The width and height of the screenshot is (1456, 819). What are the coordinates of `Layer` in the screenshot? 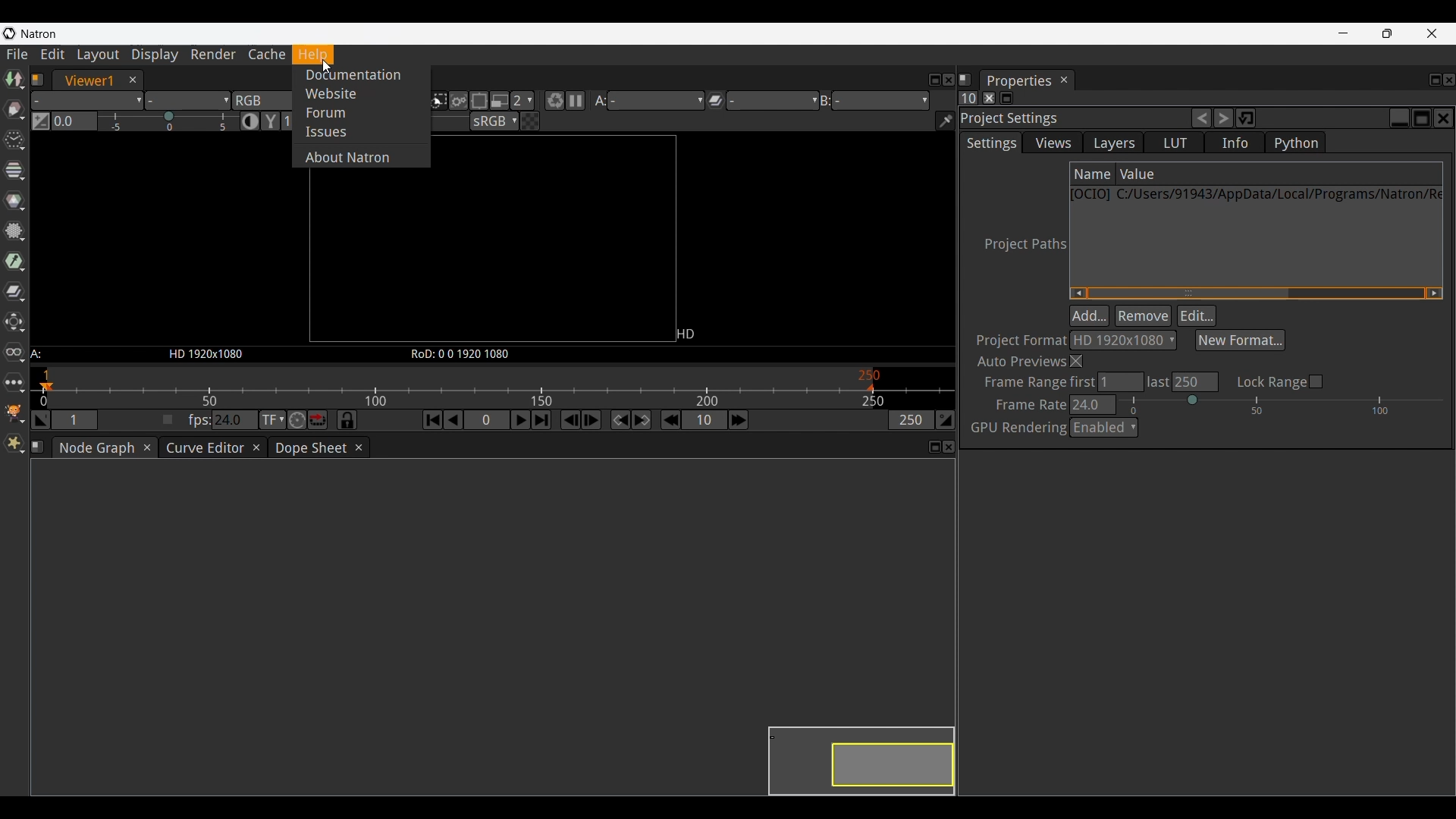 It's located at (86, 101).